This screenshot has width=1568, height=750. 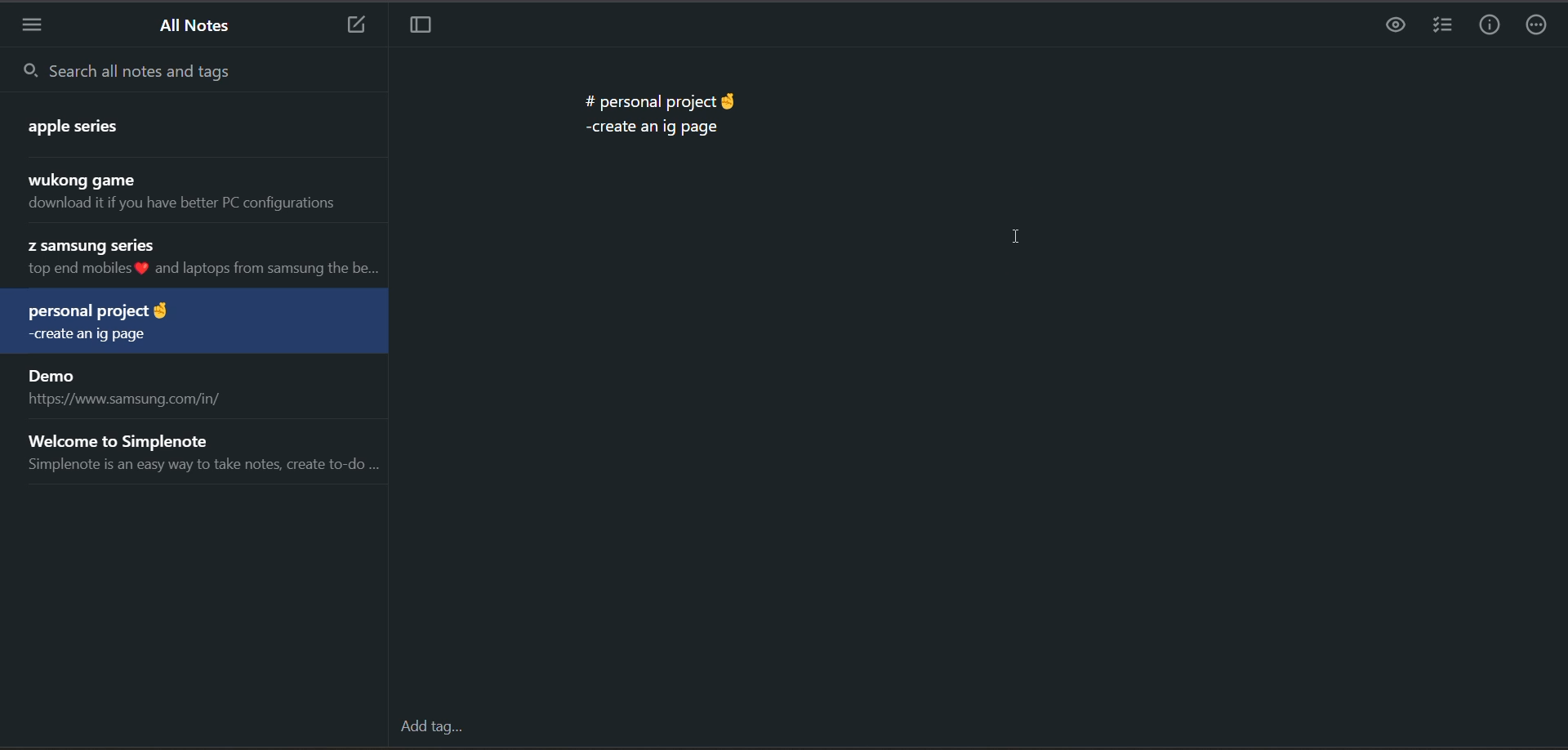 What do you see at coordinates (353, 25) in the screenshot?
I see `new note` at bounding box center [353, 25].